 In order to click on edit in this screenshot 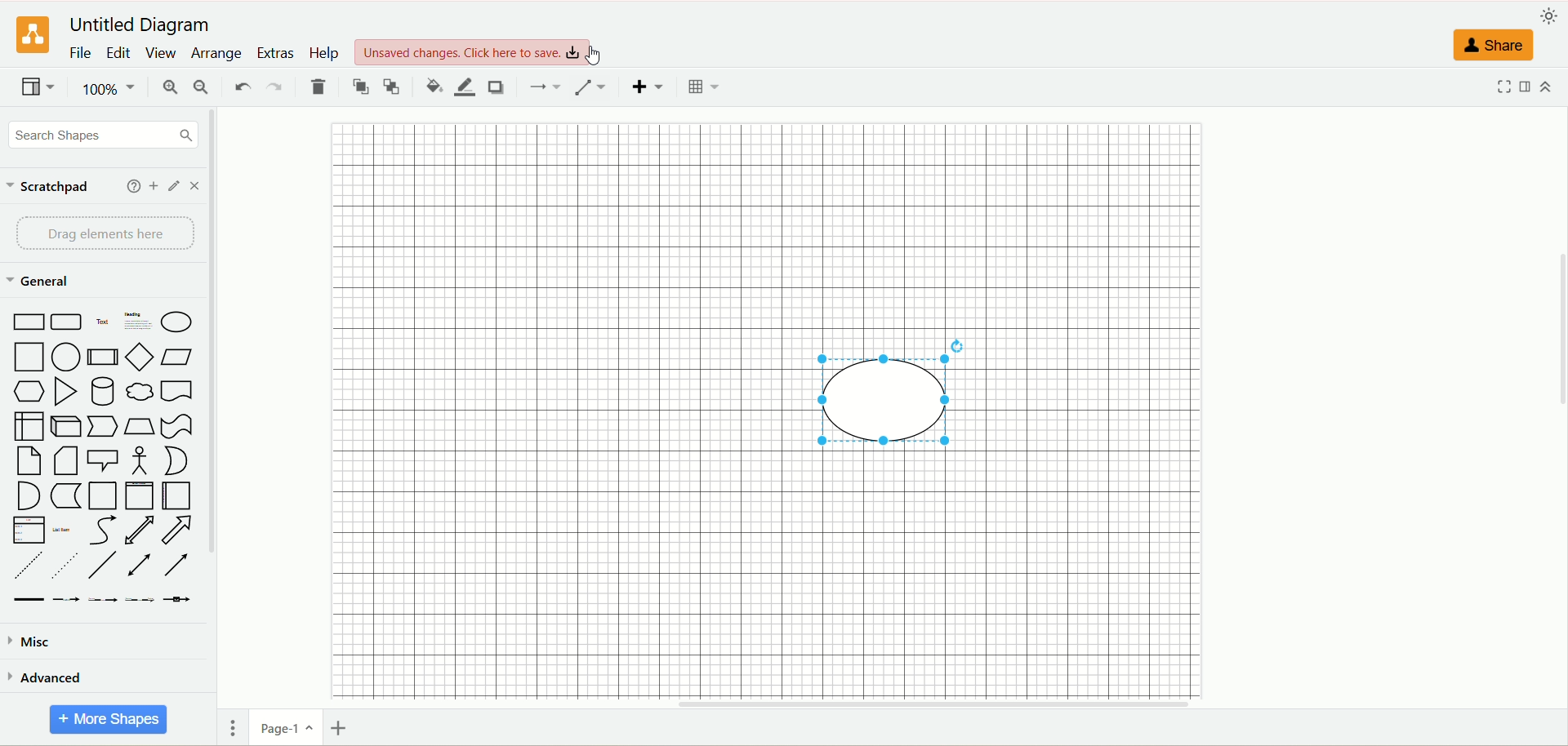, I will do `click(171, 188)`.